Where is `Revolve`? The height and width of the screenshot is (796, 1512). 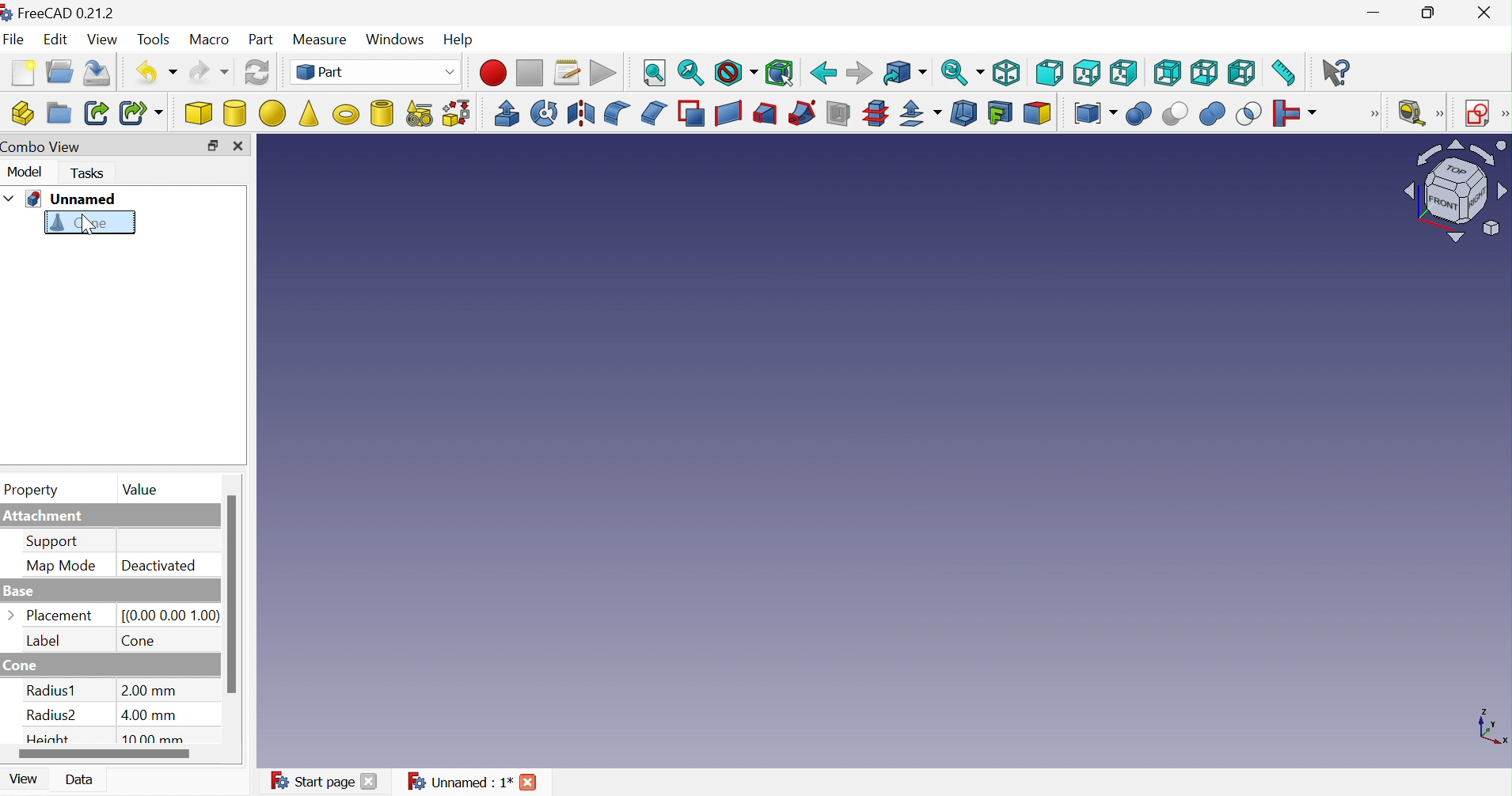 Revolve is located at coordinates (543, 112).